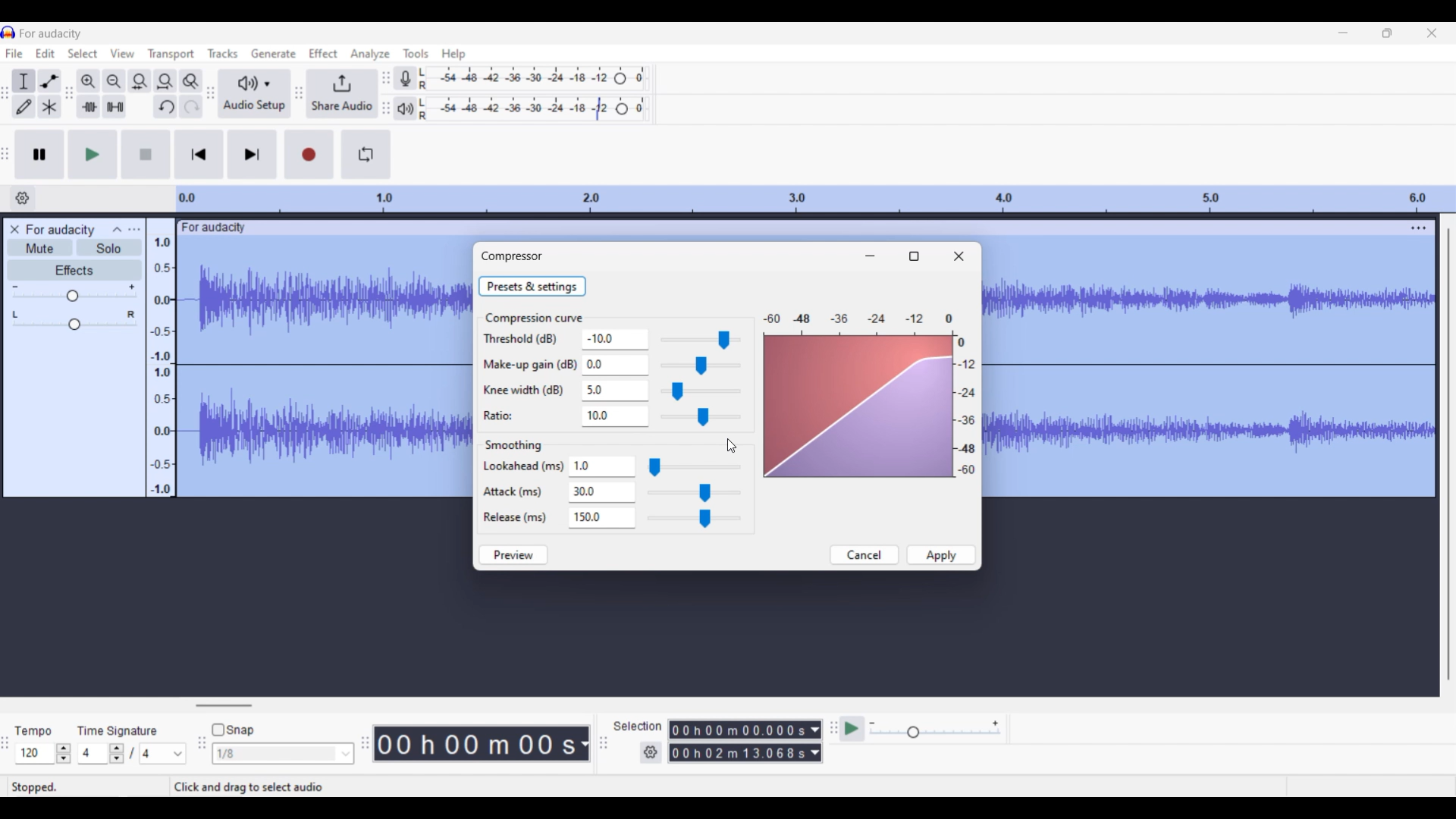  Describe the element at coordinates (191, 106) in the screenshot. I see `Redo` at that location.